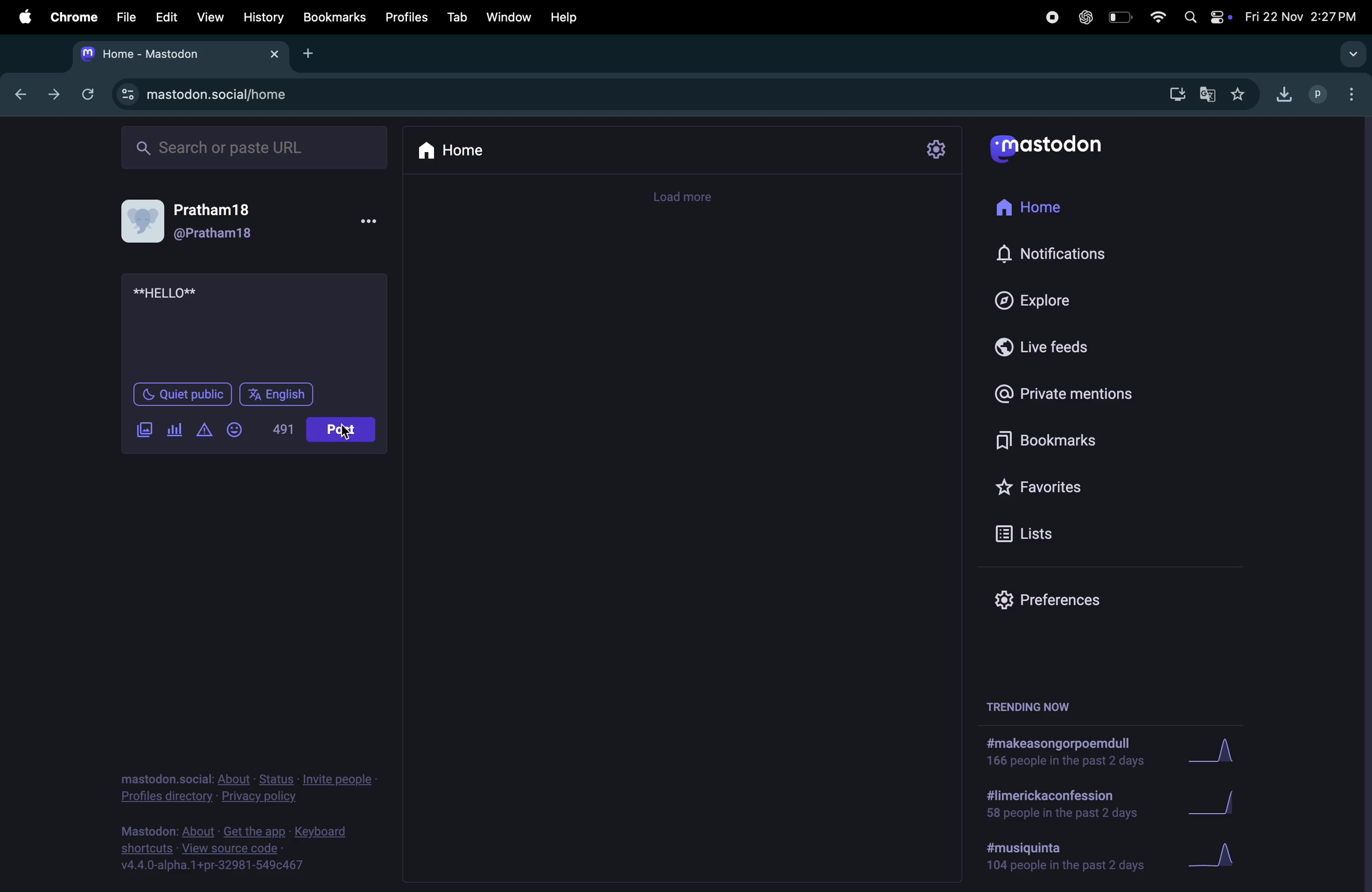 Image resolution: width=1372 pixels, height=892 pixels. I want to click on user profile, so click(142, 222).